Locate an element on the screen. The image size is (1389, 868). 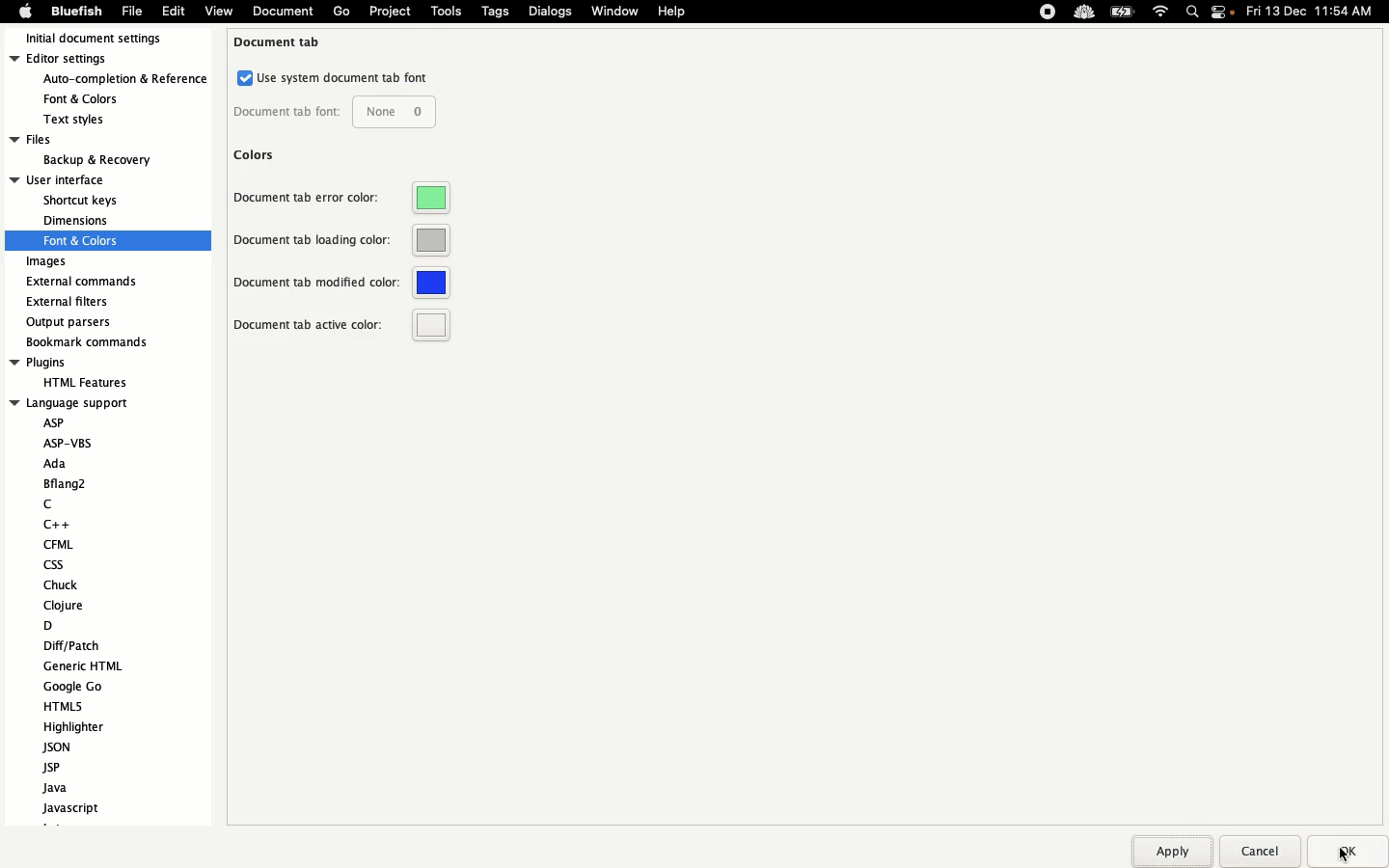
Scroll  is located at coordinates (204, 322).